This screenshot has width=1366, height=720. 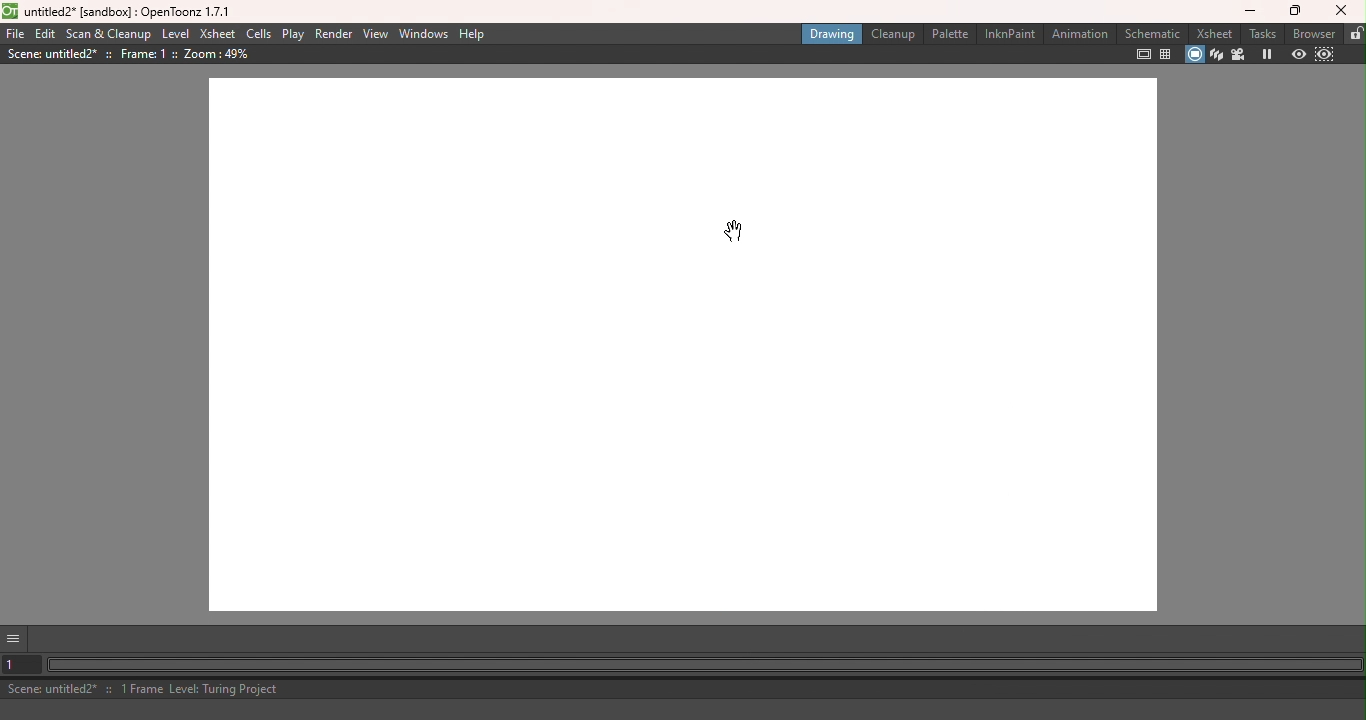 I want to click on Canvas, so click(x=695, y=349).